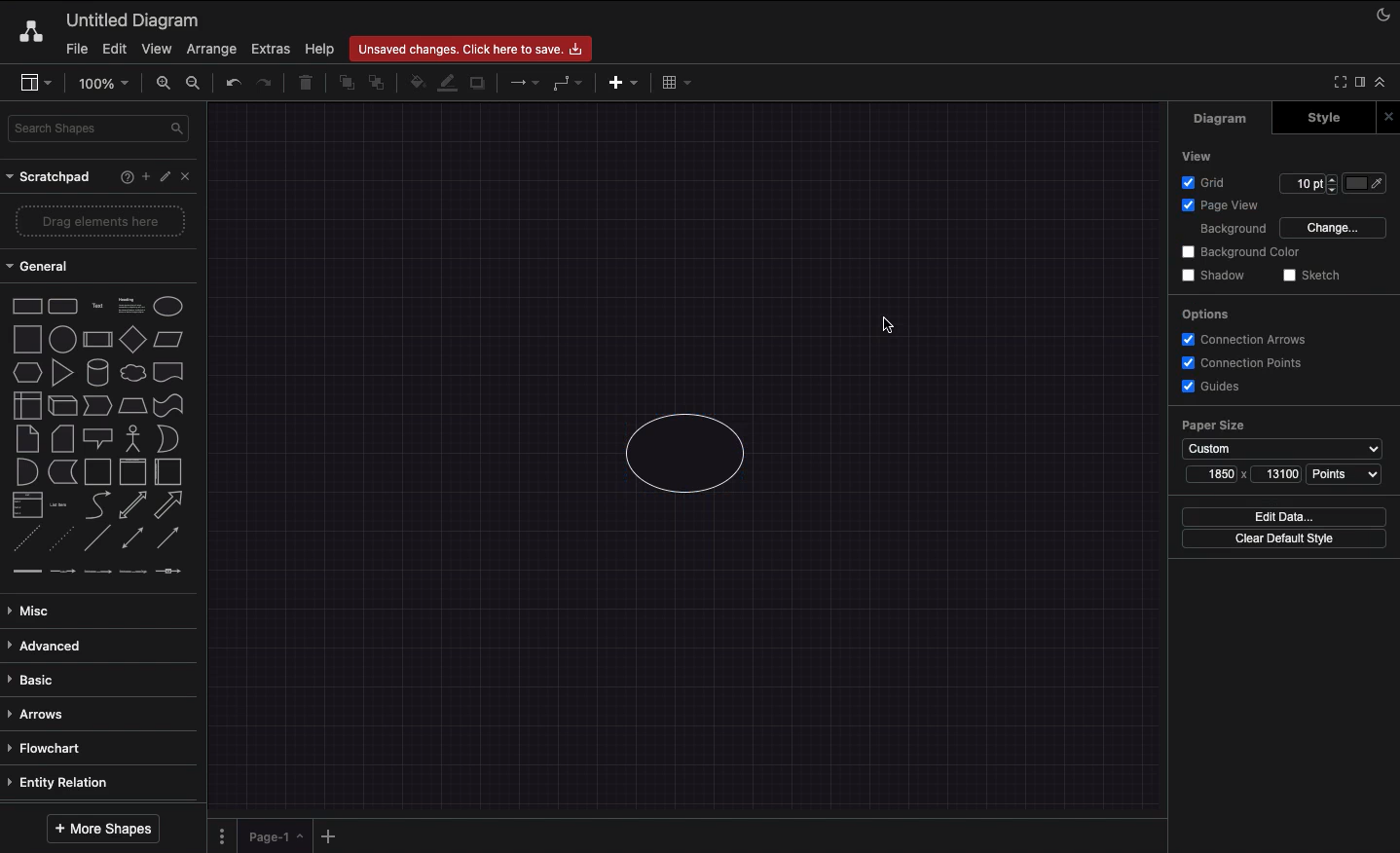  I want to click on Untitled diagram, so click(133, 19).